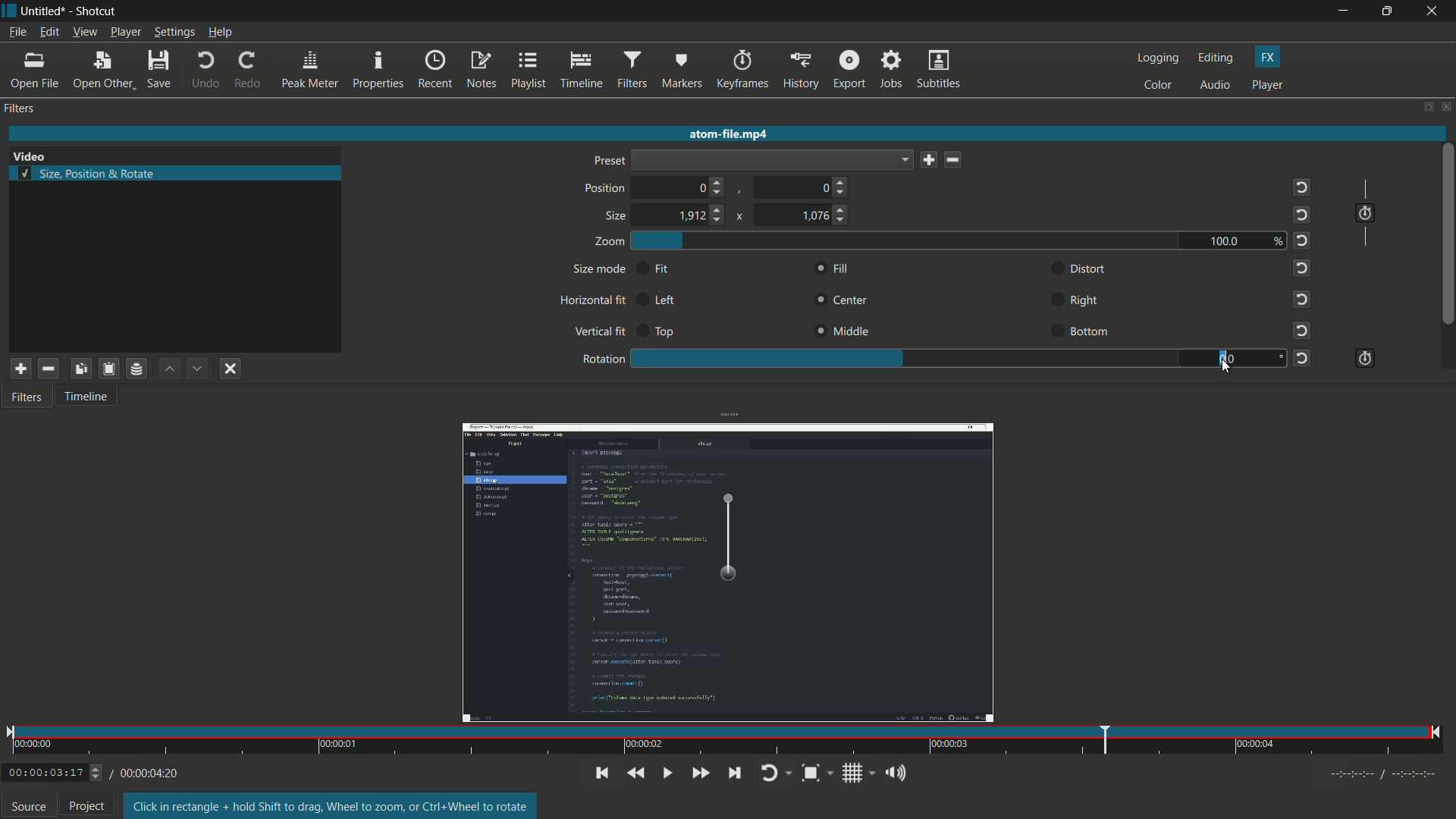 This screenshot has height=819, width=1456. Describe the element at coordinates (846, 330) in the screenshot. I see `middle` at that location.